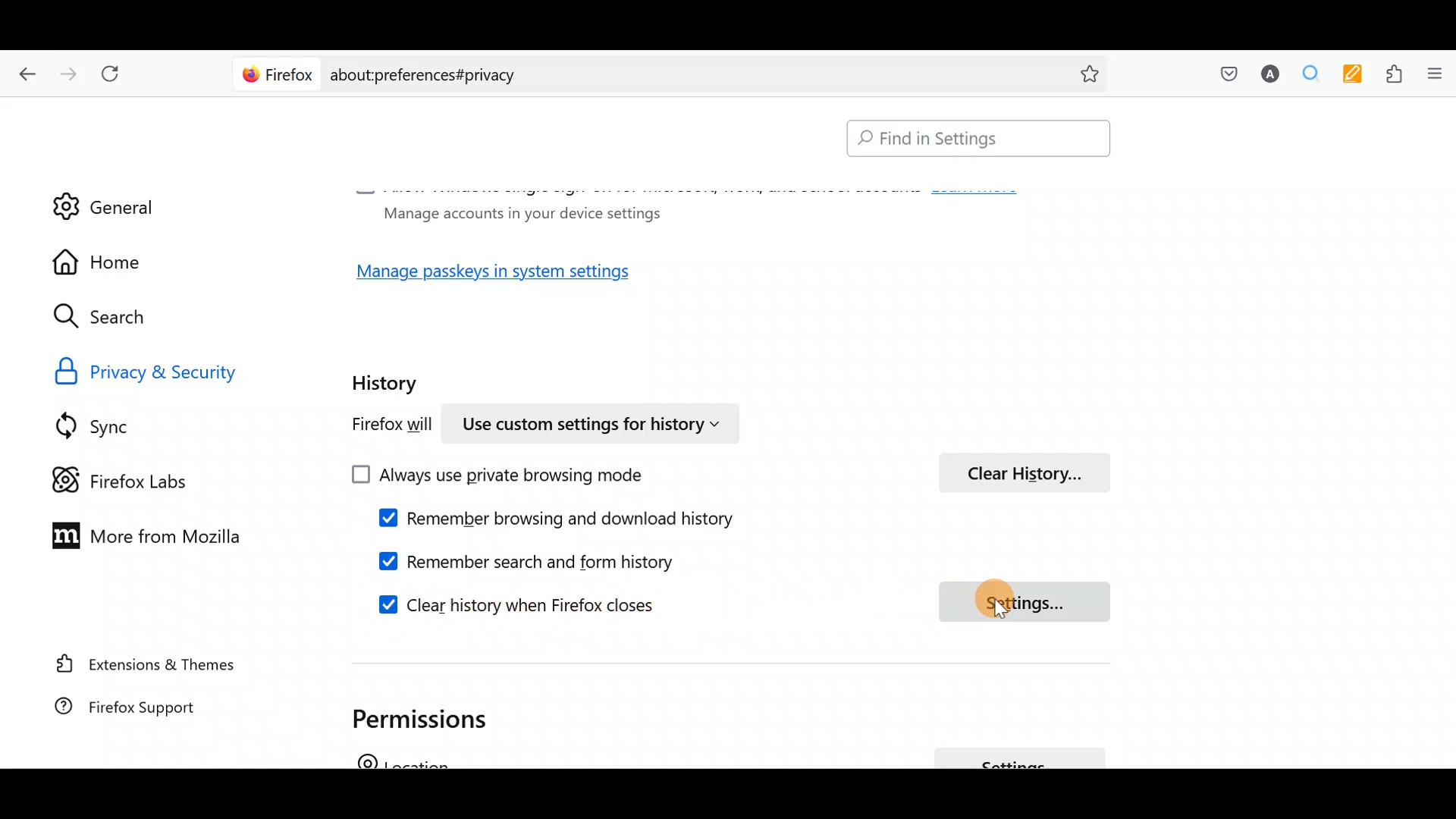 This screenshot has width=1456, height=819. Describe the element at coordinates (553, 560) in the screenshot. I see `Remember search and form history` at that location.